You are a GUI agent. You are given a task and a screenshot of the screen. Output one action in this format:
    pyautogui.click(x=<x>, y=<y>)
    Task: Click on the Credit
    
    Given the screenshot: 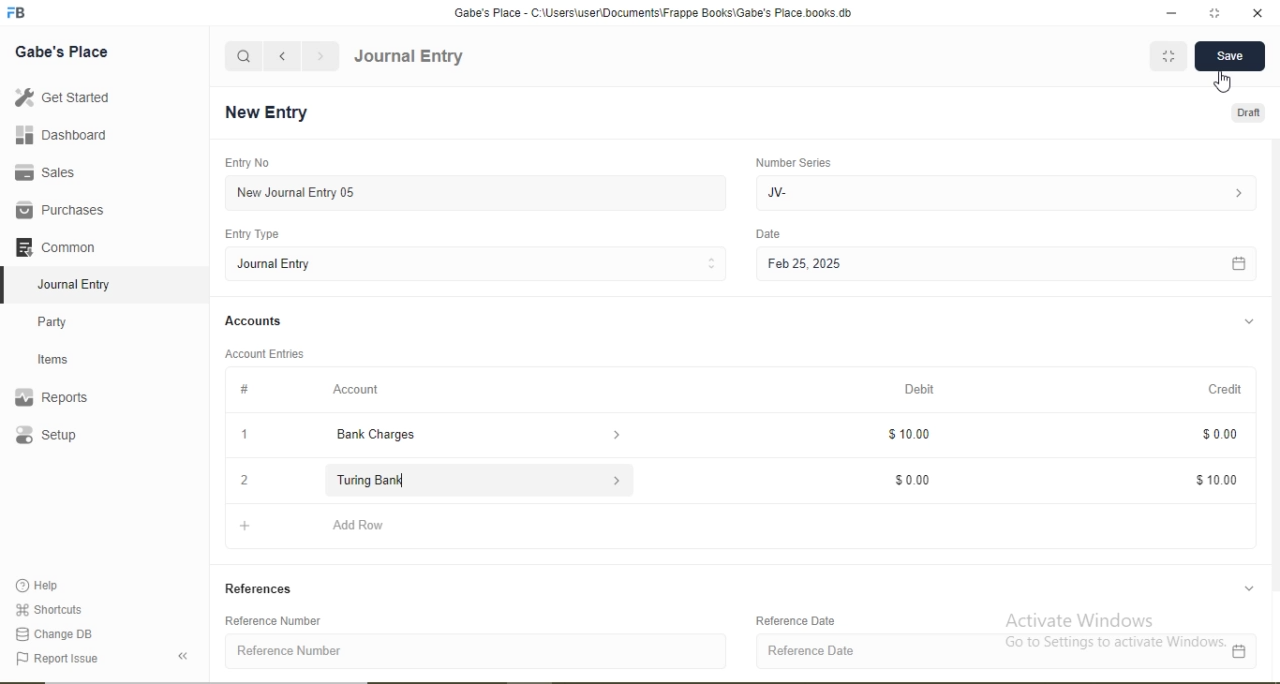 What is the action you would take?
    pyautogui.click(x=1219, y=388)
    